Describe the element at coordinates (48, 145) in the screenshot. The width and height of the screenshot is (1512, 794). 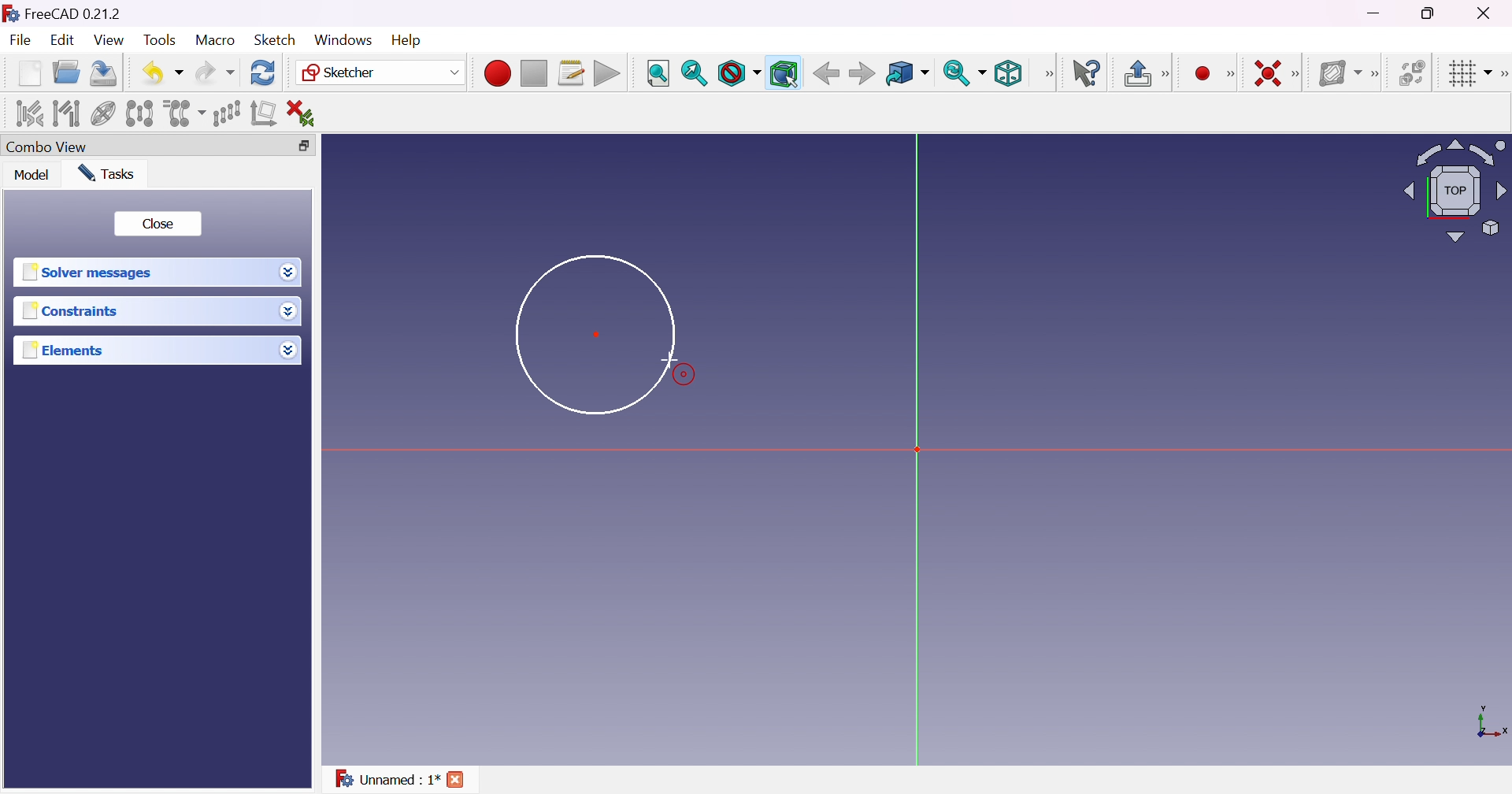
I see `Combo view` at that location.